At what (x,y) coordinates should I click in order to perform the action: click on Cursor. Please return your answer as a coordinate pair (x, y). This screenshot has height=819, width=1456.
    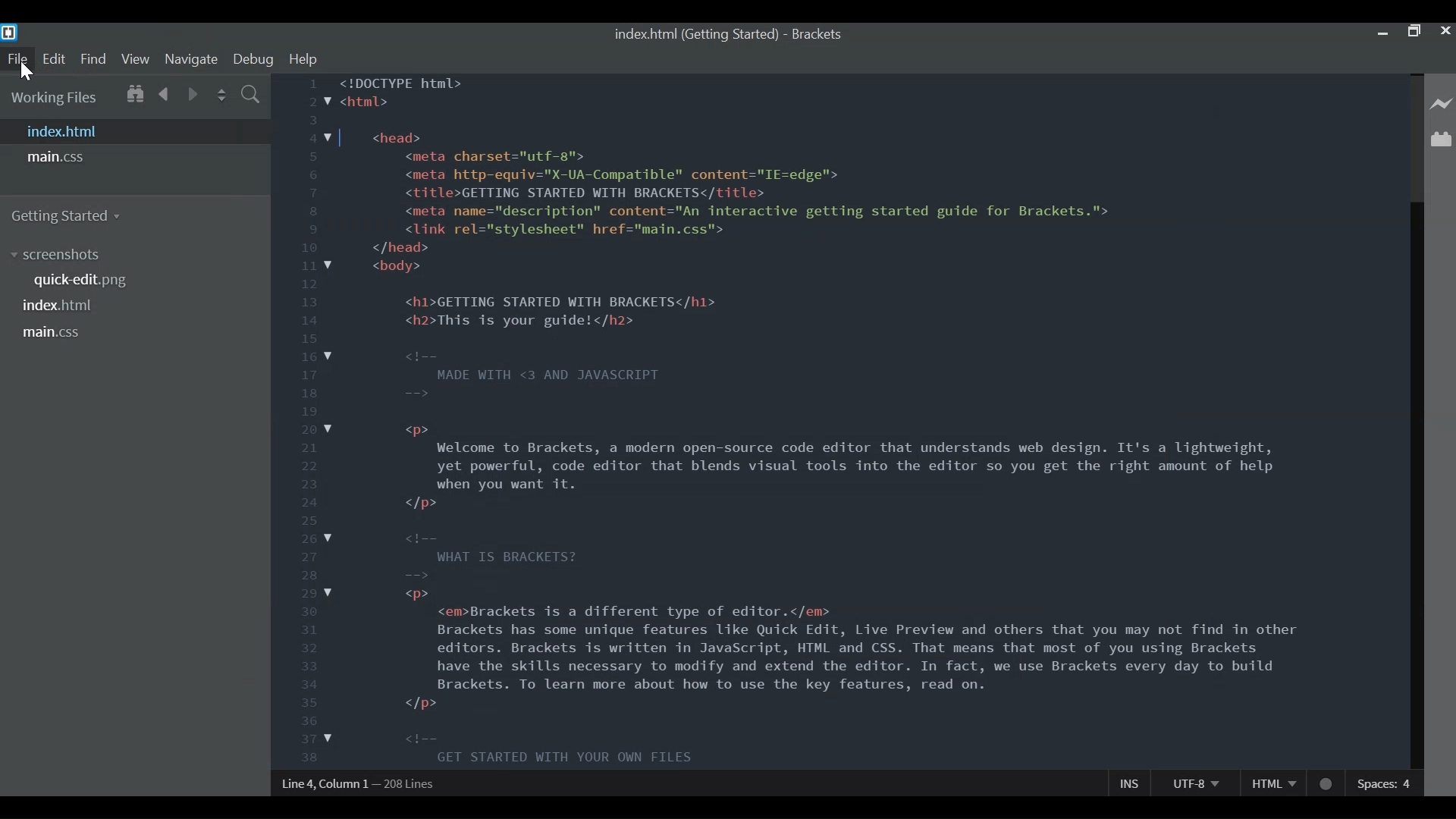
    Looking at the image, I should click on (27, 73).